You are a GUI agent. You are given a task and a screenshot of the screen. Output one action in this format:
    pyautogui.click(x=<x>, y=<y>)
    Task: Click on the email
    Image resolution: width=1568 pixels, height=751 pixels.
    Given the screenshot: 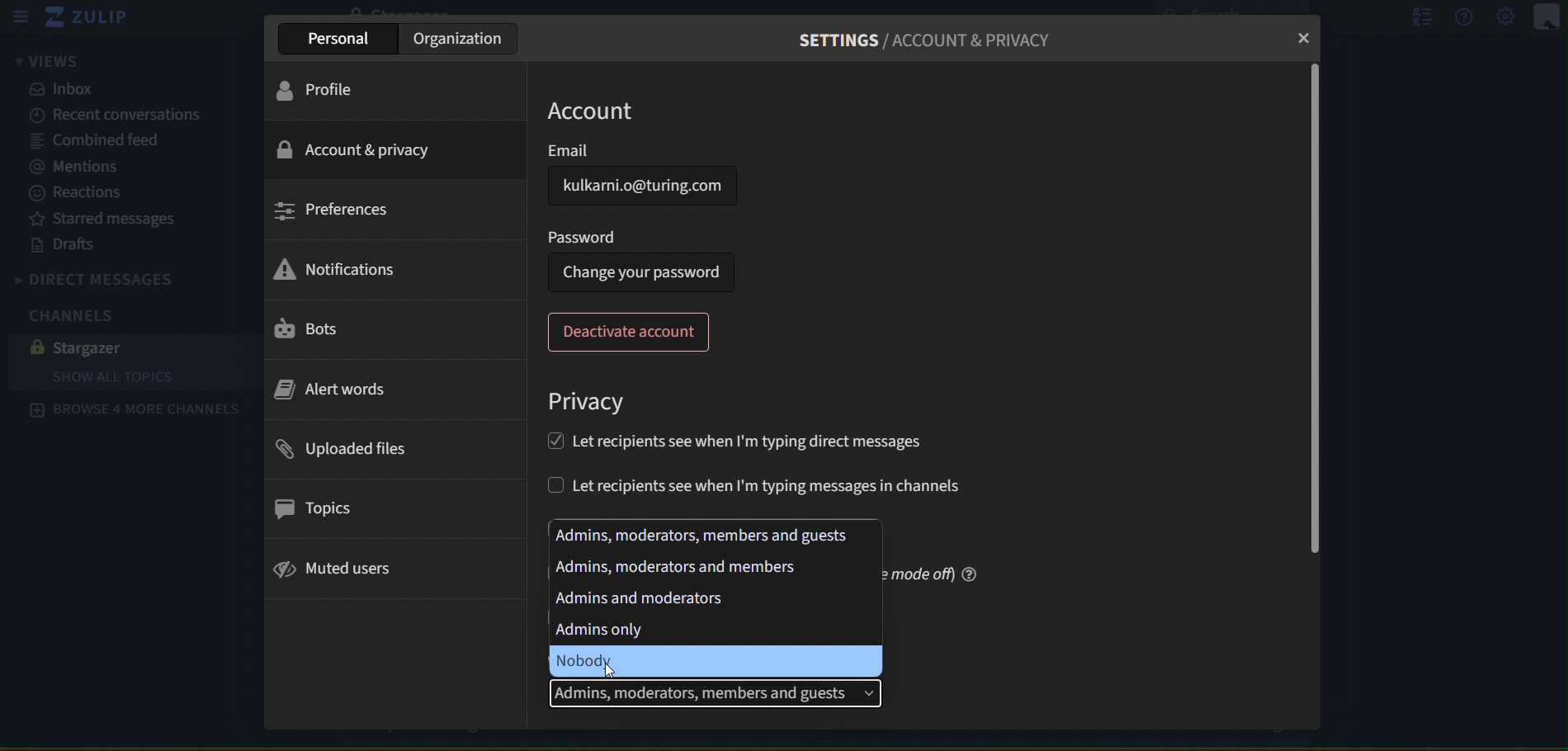 What is the action you would take?
    pyautogui.click(x=620, y=149)
    